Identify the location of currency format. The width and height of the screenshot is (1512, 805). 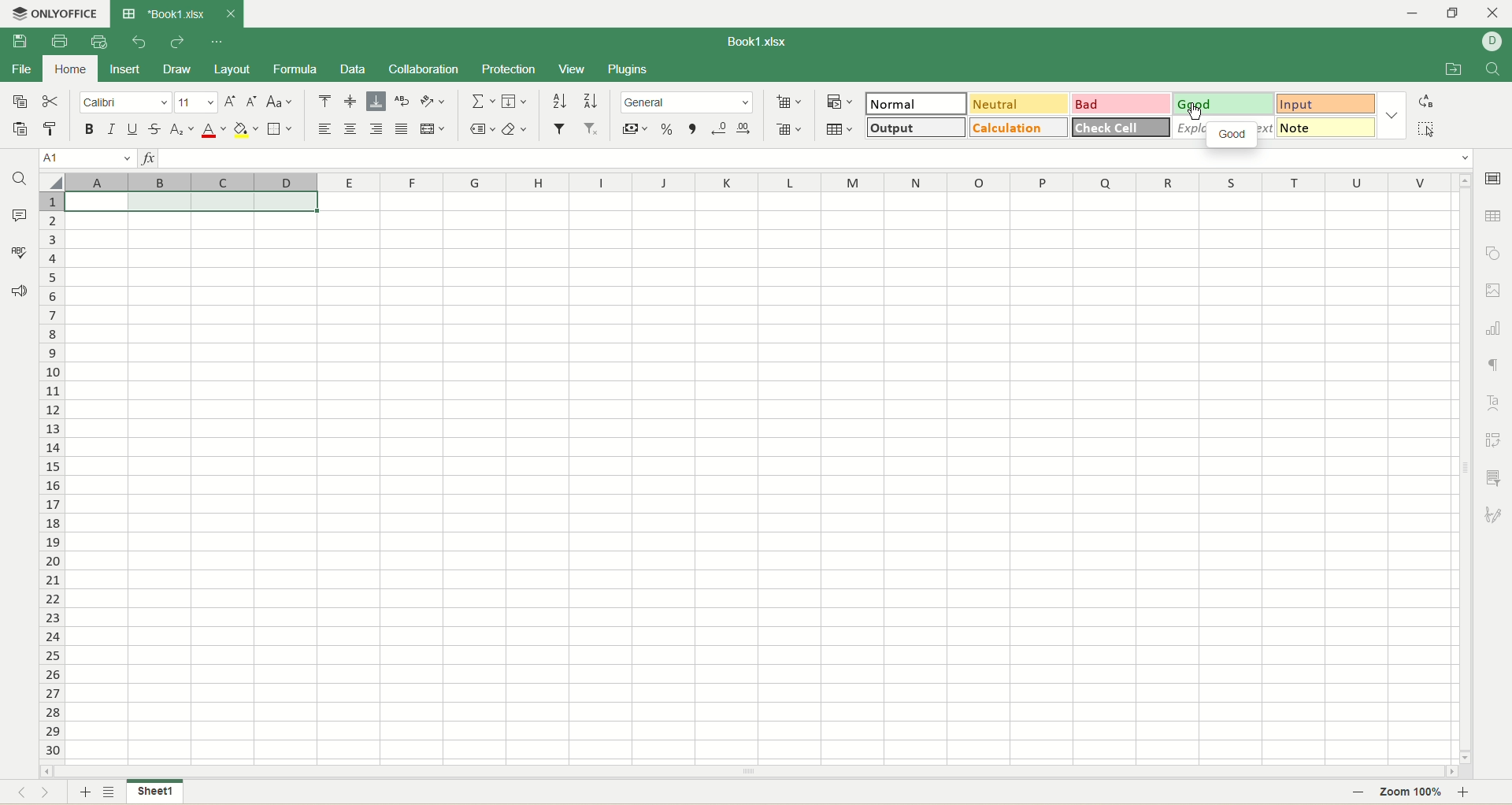
(636, 127).